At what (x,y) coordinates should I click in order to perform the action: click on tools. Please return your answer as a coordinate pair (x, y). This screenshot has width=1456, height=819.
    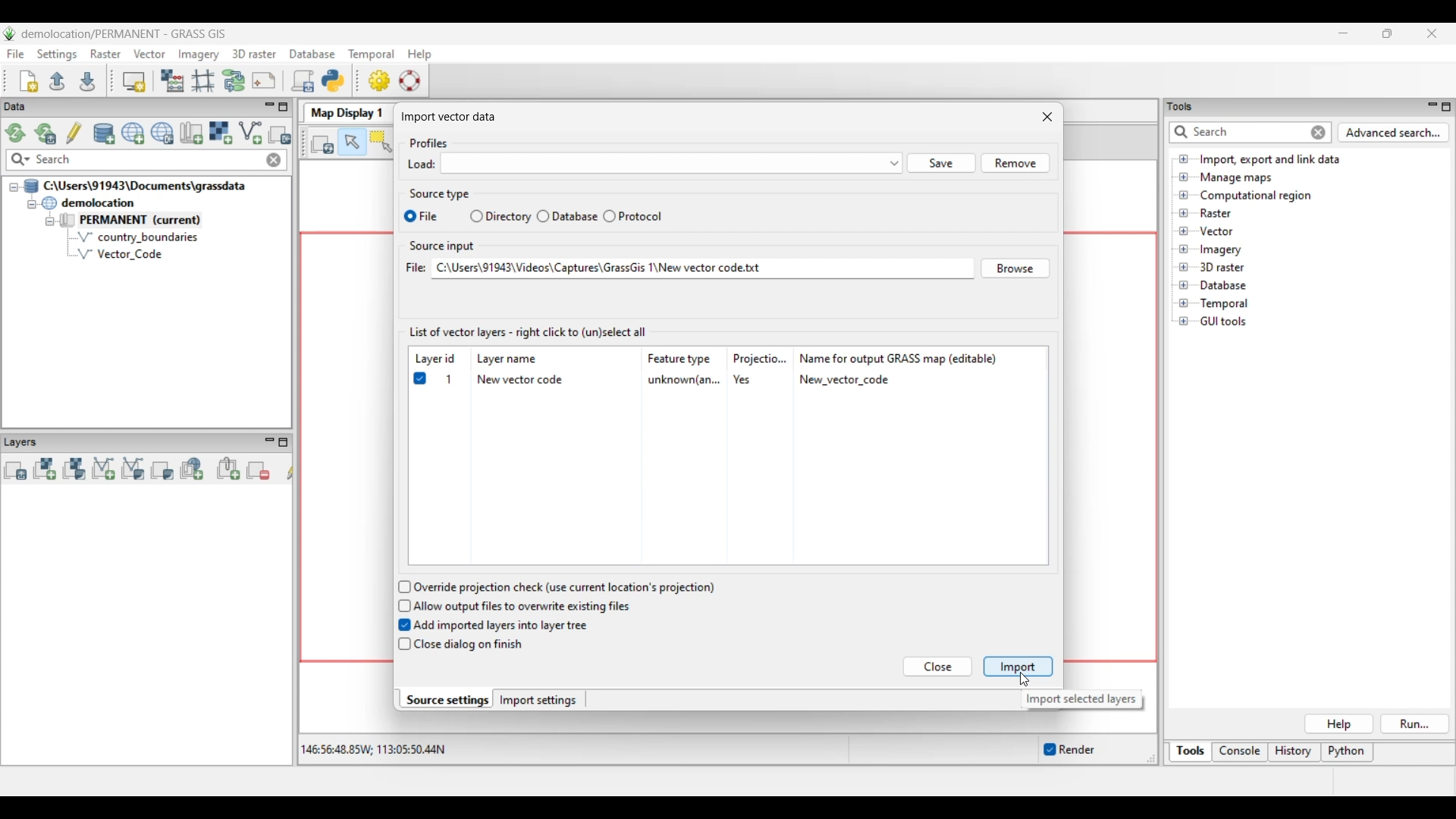
    Looking at the image, I should click on (1185, 105).